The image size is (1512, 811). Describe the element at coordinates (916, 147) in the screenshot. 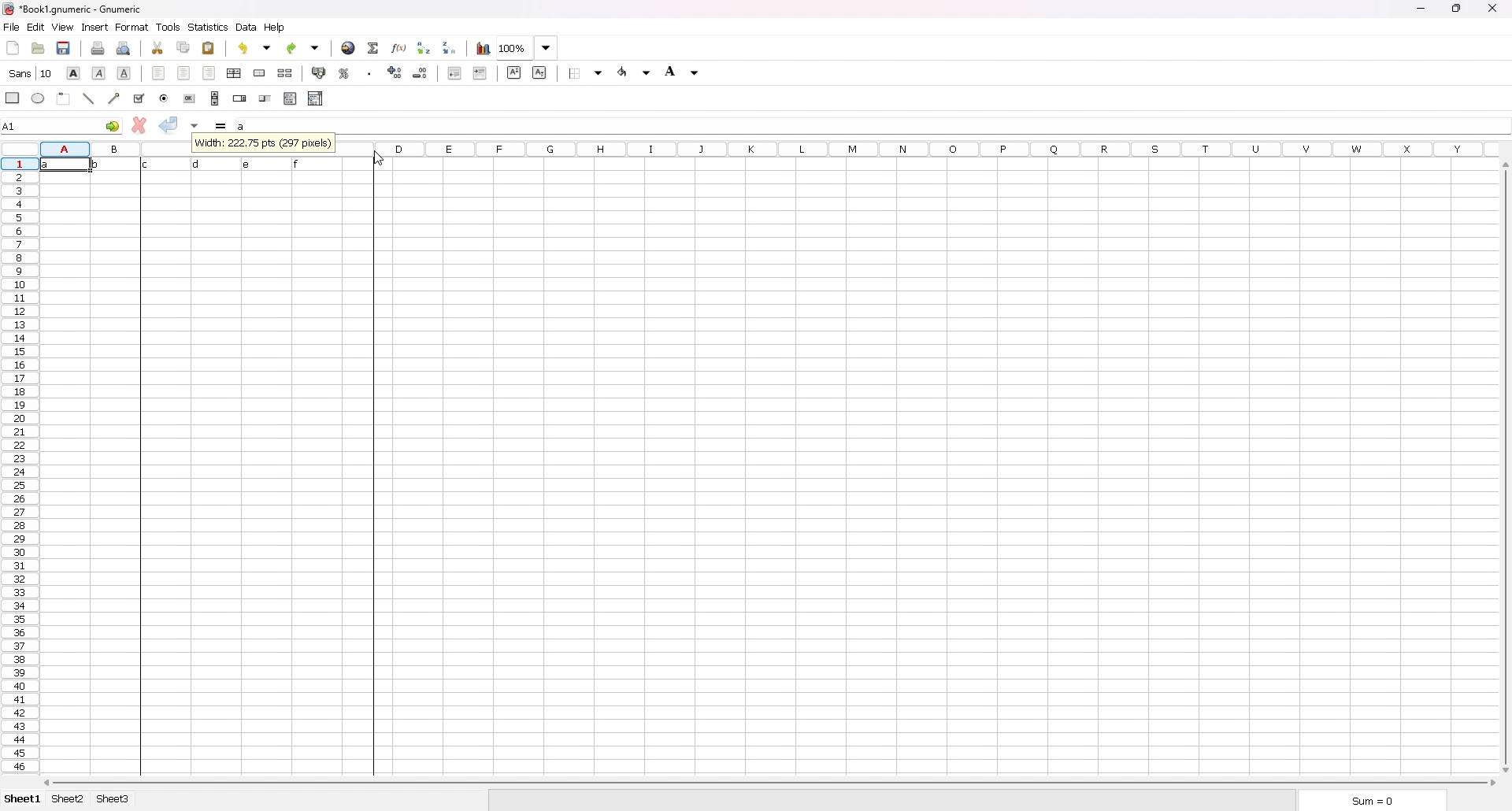

I see `ROWS` at that location.